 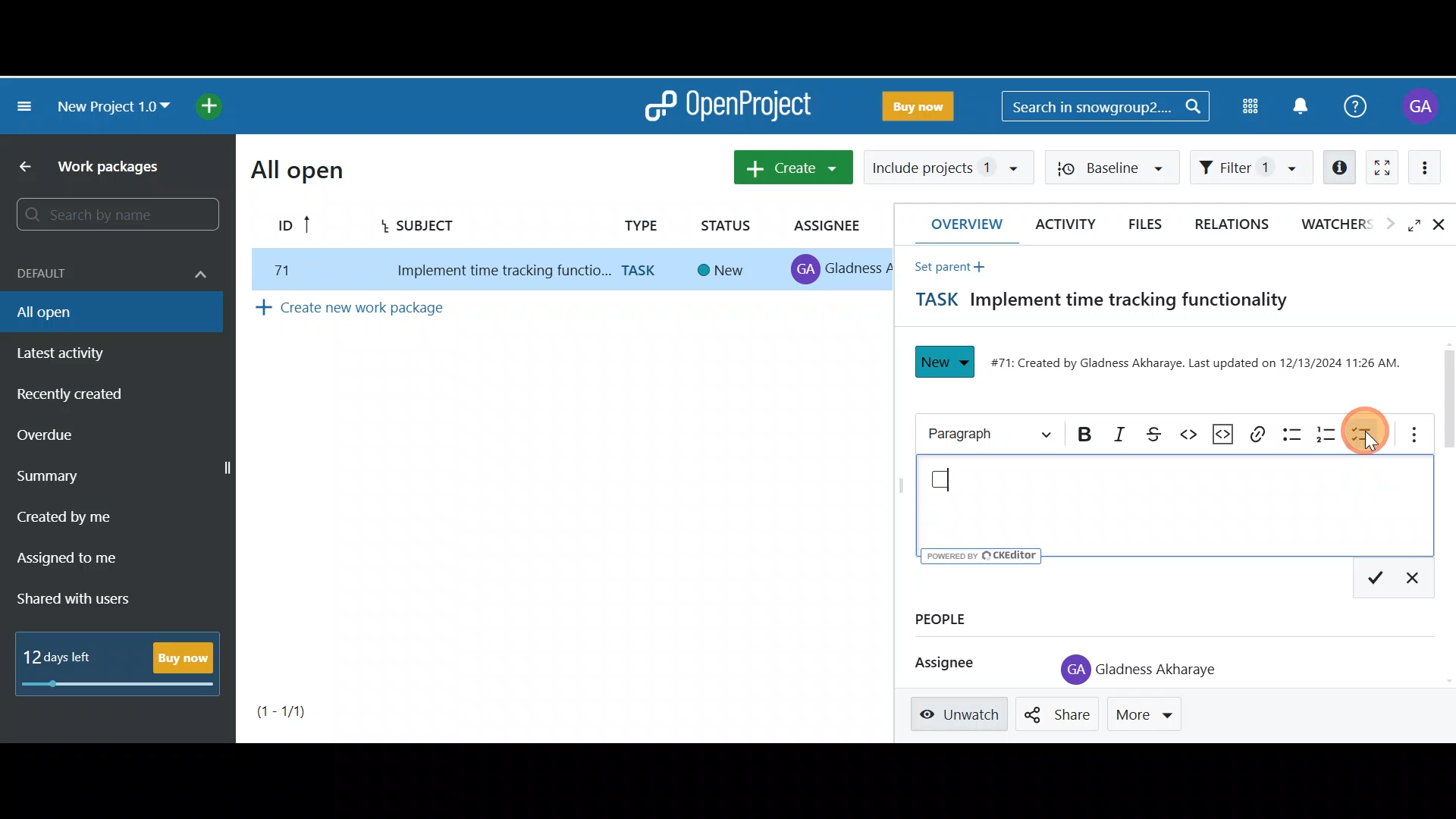 What do you see at coordinates (1119, 168) in the screenshot?
I see `Baseline` at bounding box center [1119, 168].